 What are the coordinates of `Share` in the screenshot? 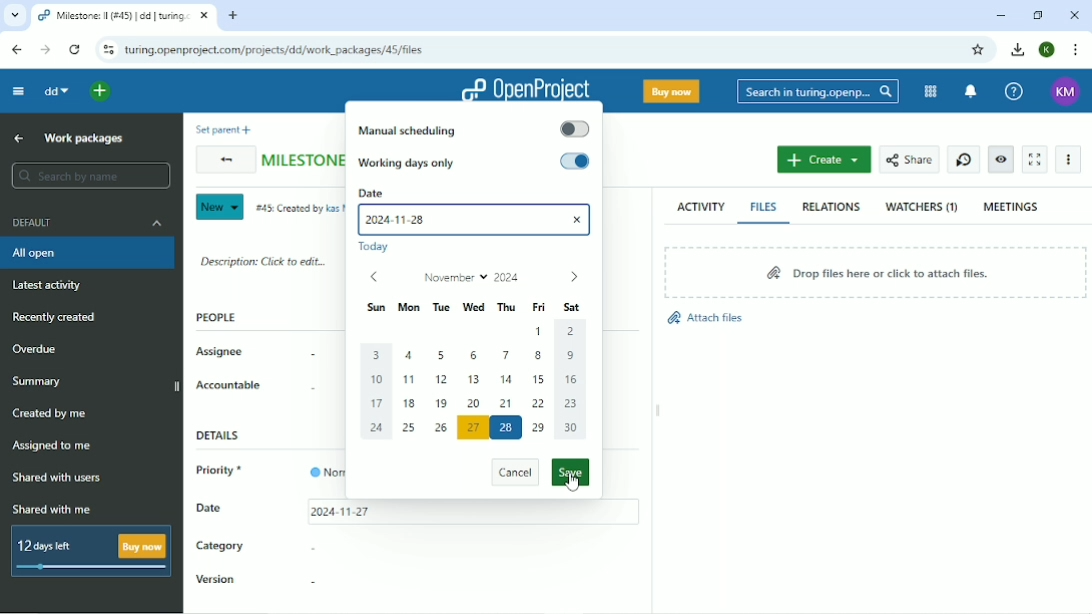 It's located at (908, 160).